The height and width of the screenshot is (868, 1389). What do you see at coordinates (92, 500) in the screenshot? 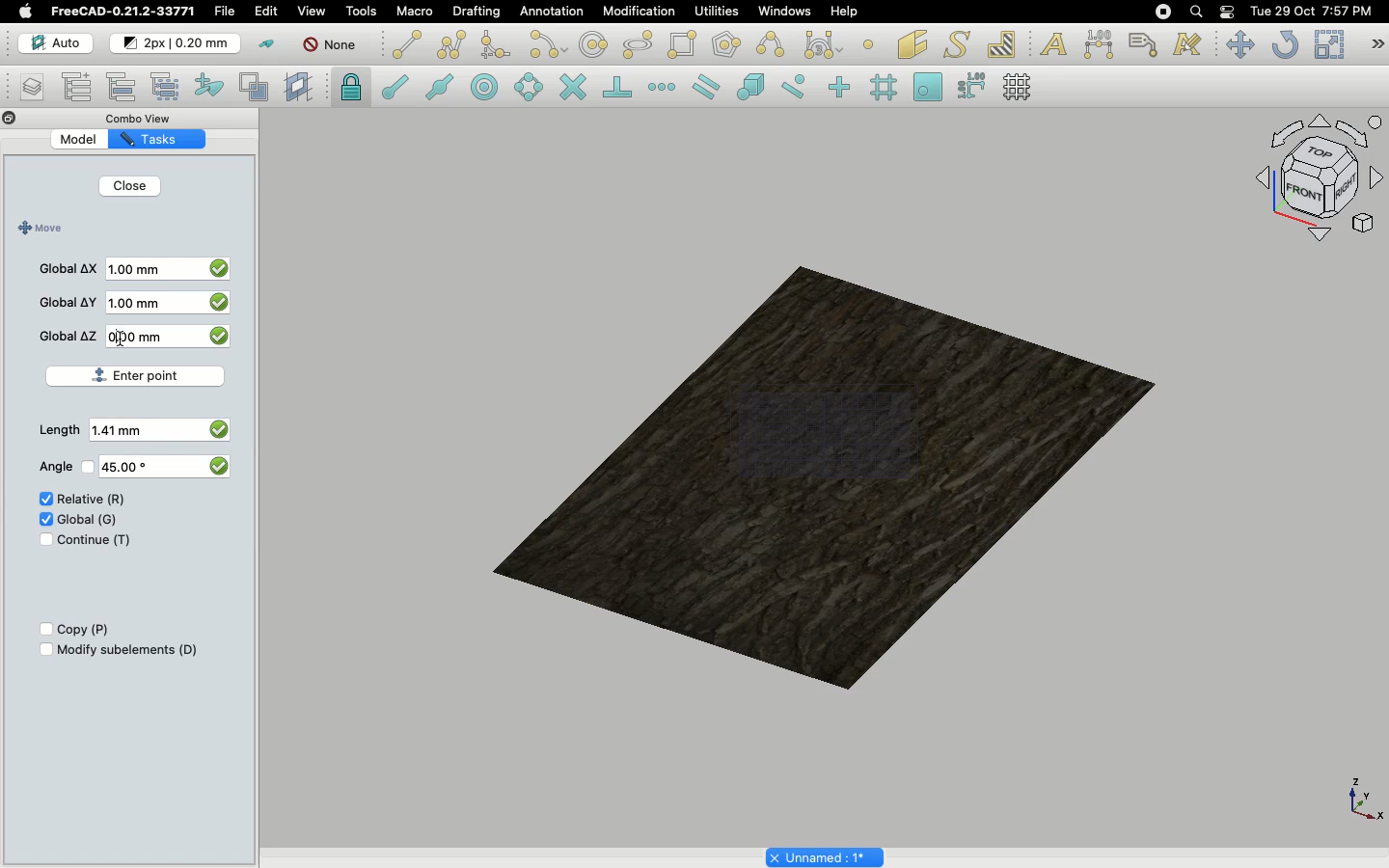
I see `Relative` at bounding box center [92, 500].